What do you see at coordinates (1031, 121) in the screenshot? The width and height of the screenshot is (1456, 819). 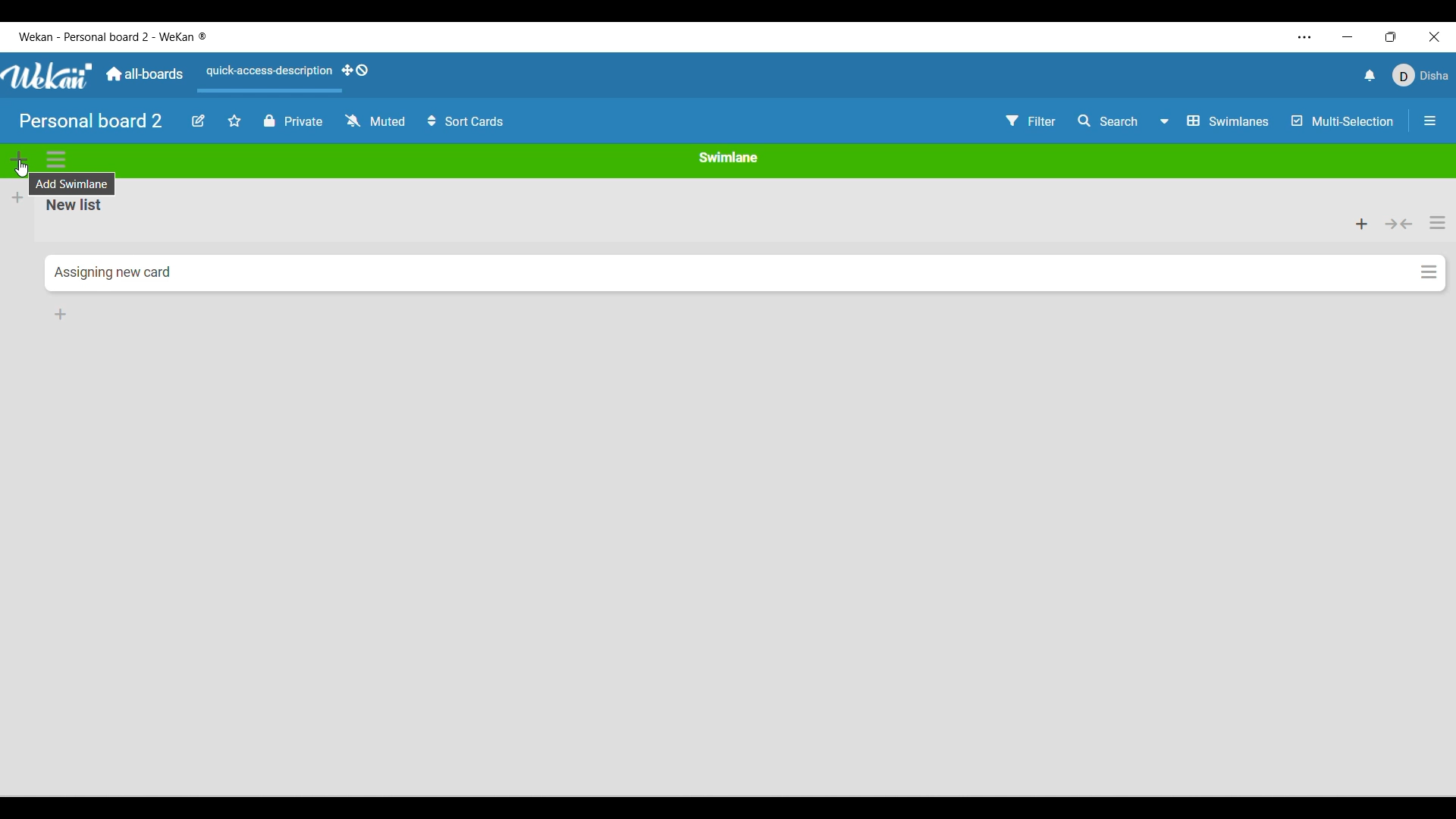 I see `Filter` at bounding box center [1031, 121].